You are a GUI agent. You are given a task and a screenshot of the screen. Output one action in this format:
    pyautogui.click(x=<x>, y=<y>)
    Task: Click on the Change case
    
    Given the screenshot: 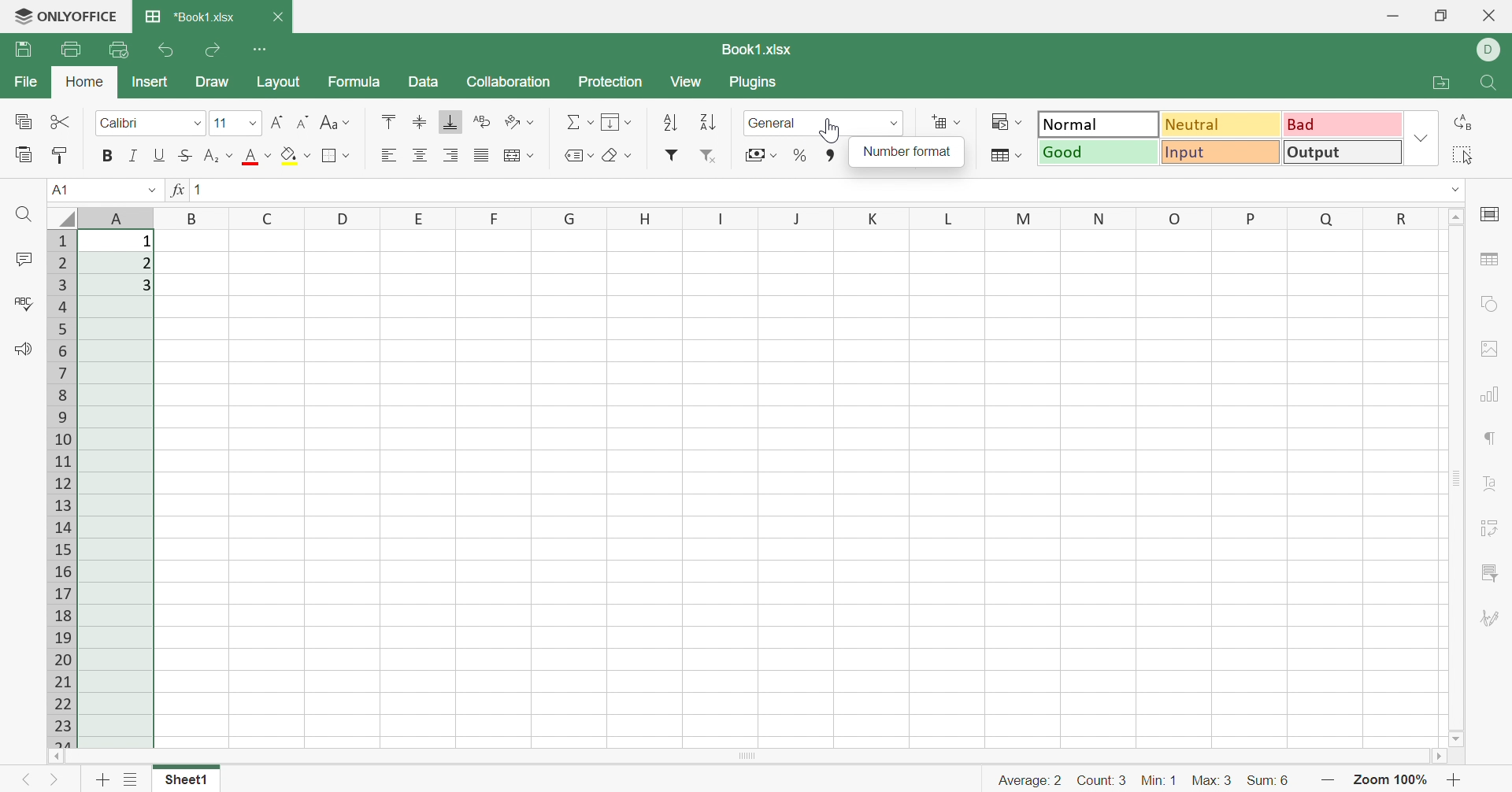 What is the action you would take?
    pyautogui.click(x=335, y=121)
    